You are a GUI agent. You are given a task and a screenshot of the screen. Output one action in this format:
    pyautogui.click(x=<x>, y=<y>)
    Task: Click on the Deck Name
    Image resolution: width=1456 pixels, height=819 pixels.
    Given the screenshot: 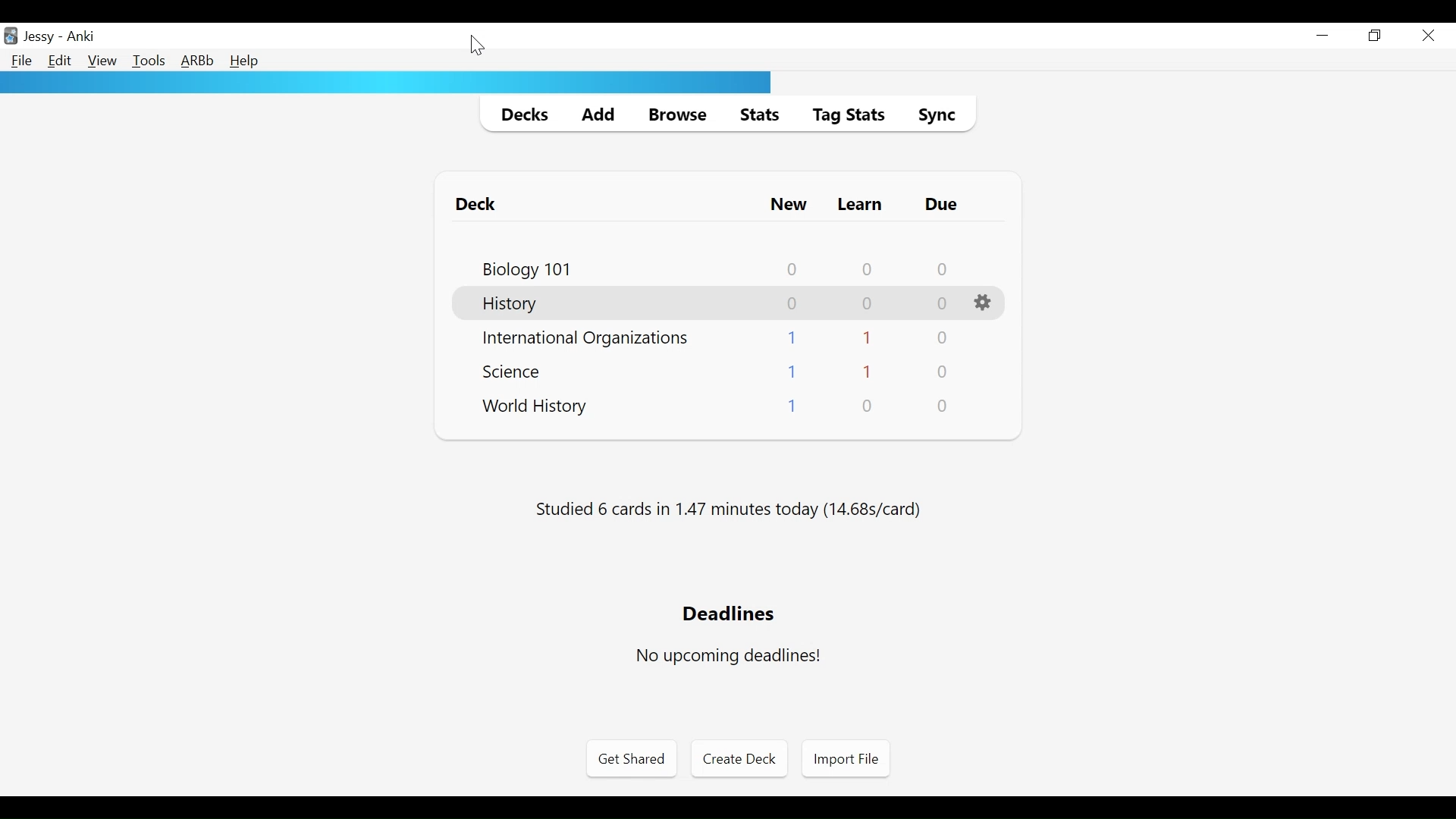 What is the action you would take?
    pyautogui.click(x=535, y=407)
    